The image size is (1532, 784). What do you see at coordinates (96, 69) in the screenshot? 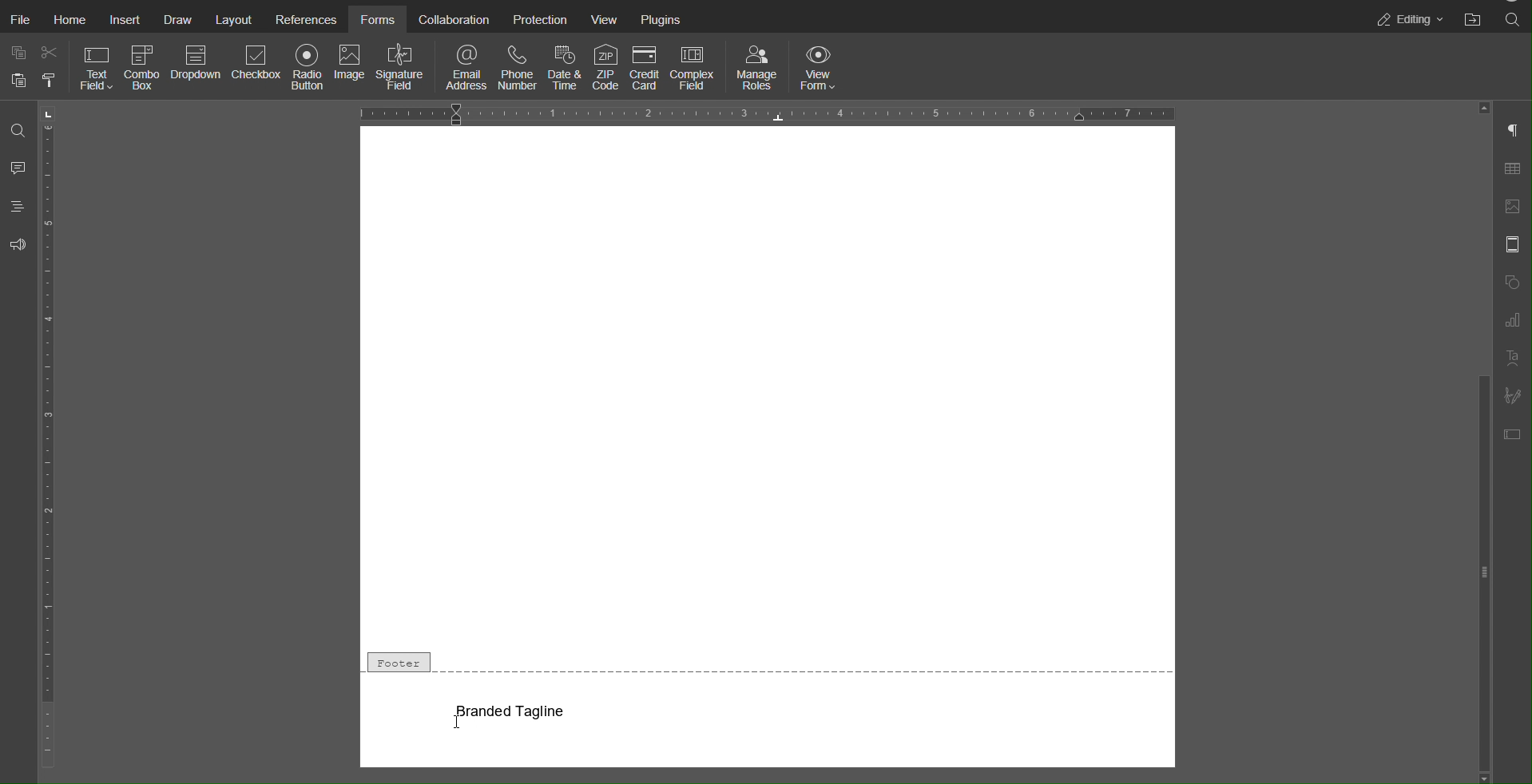
I see `Text Field` at bounding box center [96, 69].